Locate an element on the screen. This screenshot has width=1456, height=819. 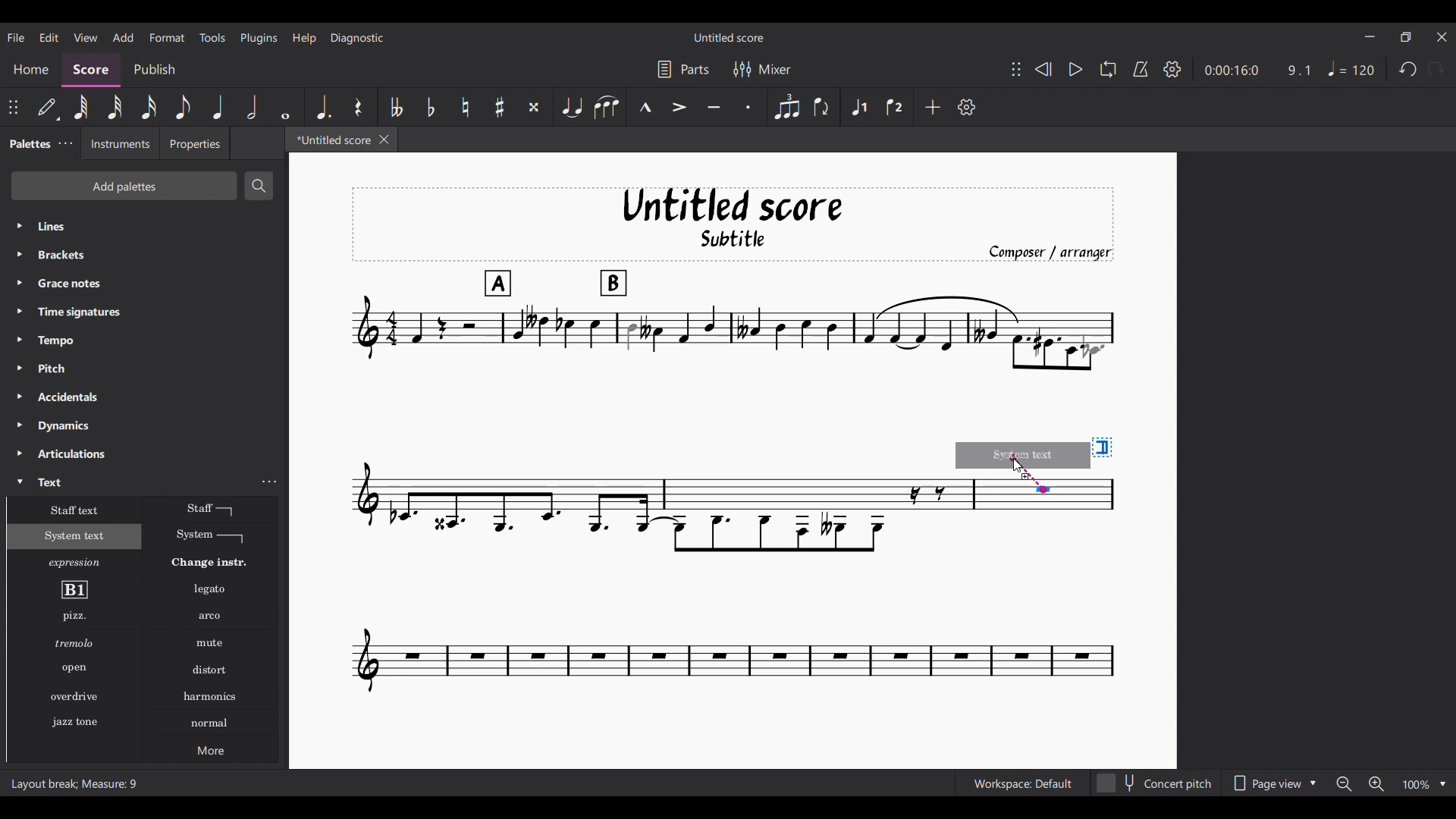
Mute is located at coordinates (210, 643).